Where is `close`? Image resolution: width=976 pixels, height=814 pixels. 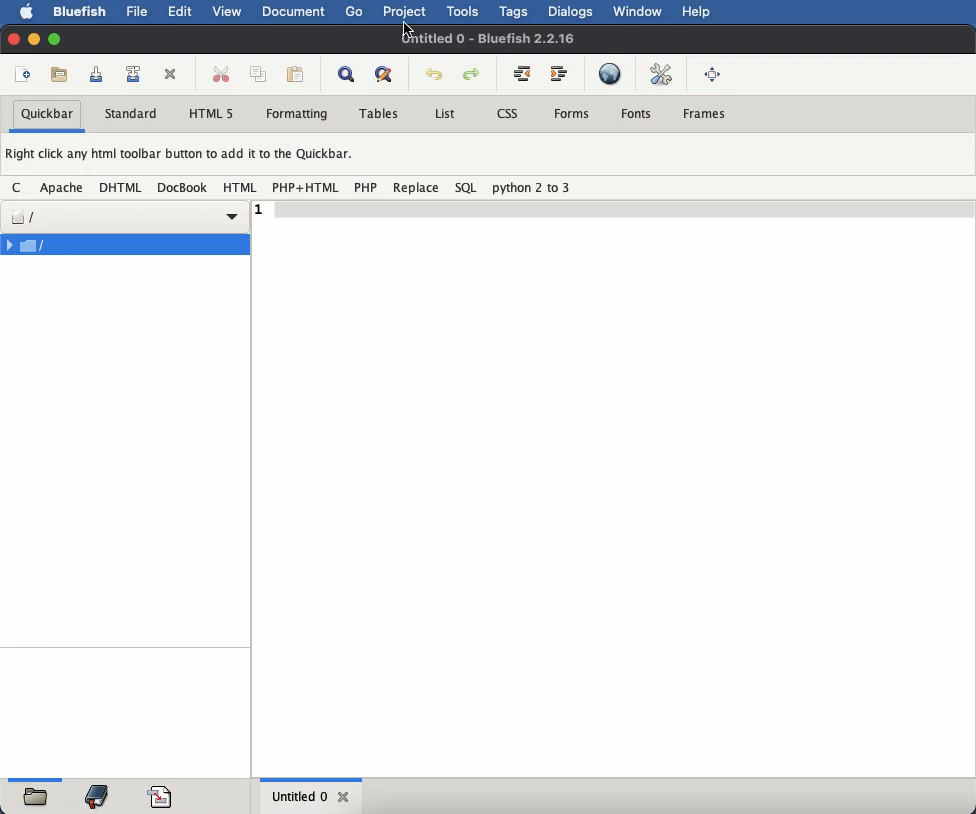 close is located at coordinates (345, 797).